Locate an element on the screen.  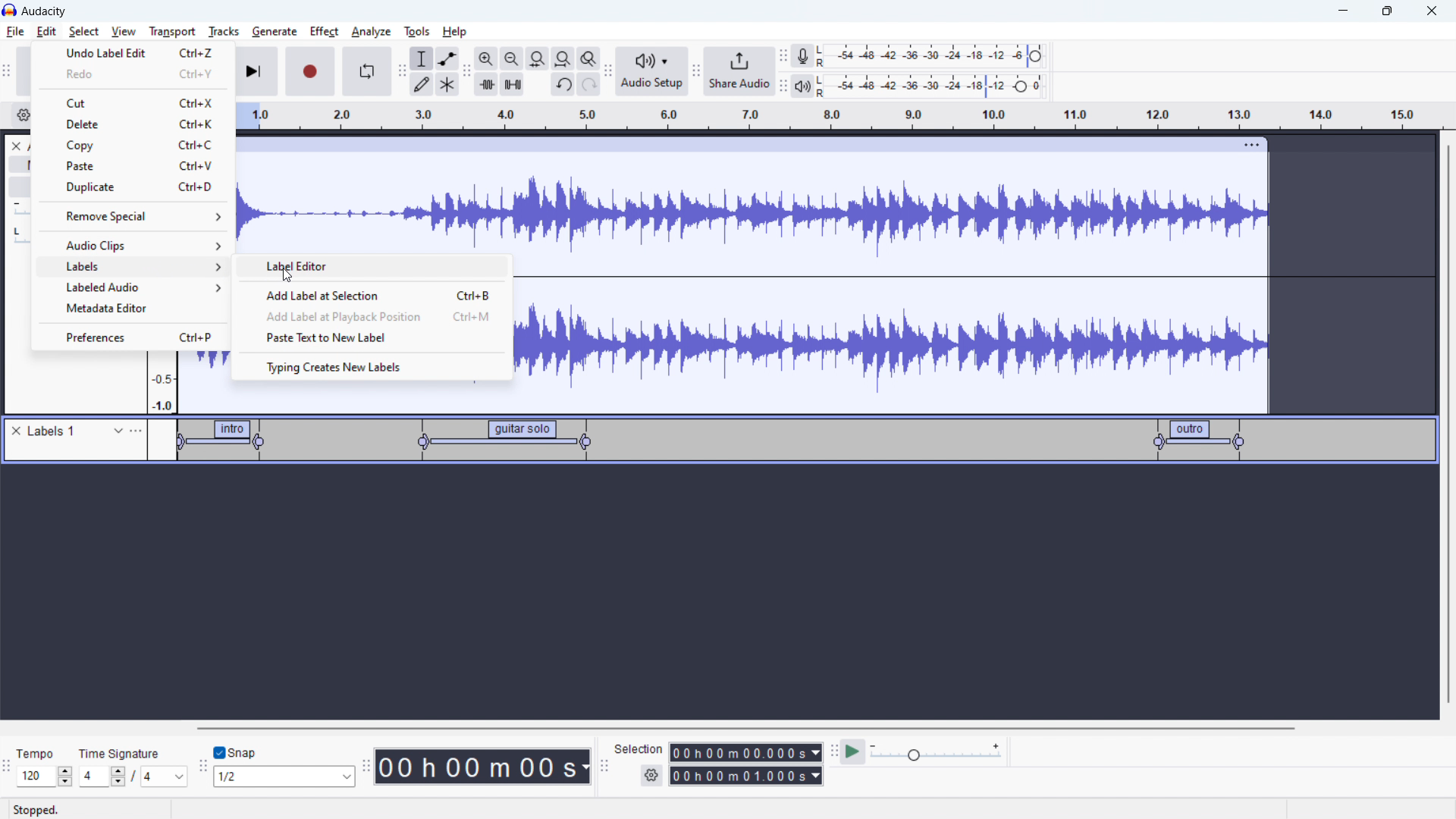
set tempo is located at coordinates (47, 777).